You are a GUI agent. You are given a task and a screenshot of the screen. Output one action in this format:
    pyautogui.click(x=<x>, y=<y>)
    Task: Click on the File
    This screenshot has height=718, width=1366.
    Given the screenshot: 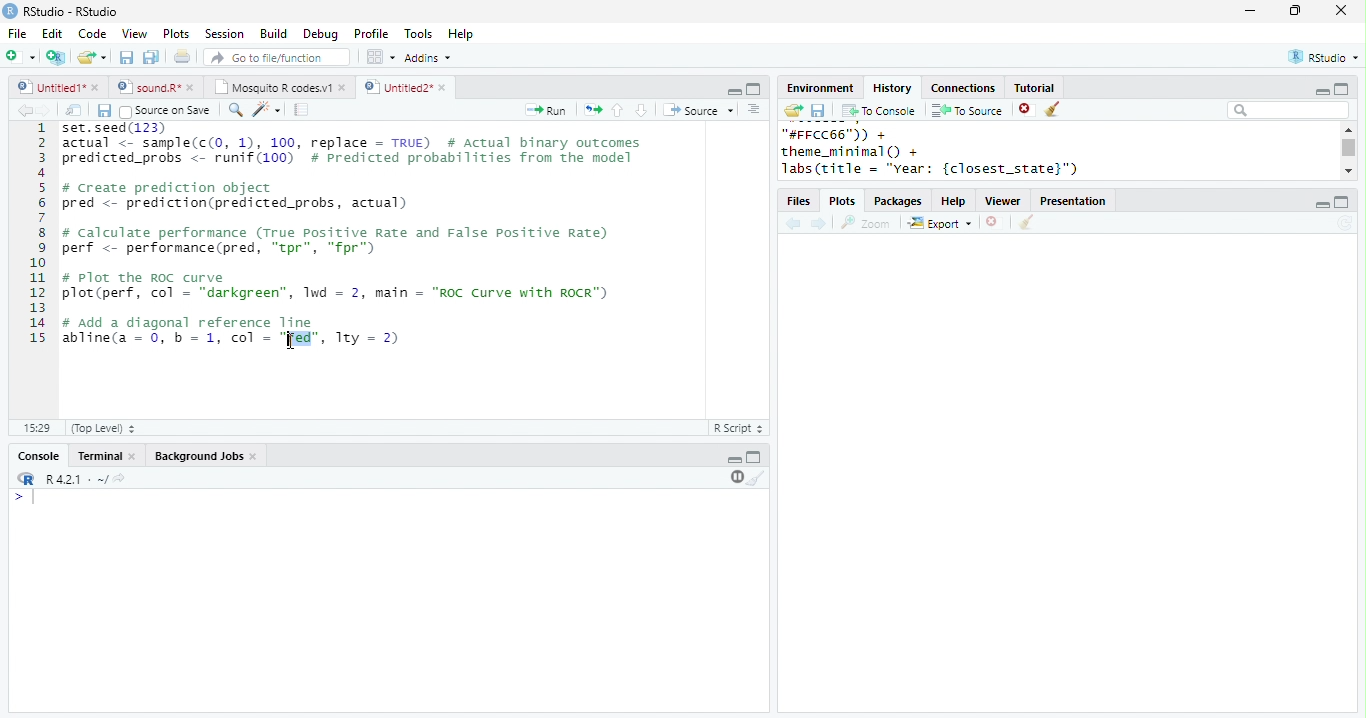 What is the action you would take?
    pyautogui.click(x=17, y=34)
    